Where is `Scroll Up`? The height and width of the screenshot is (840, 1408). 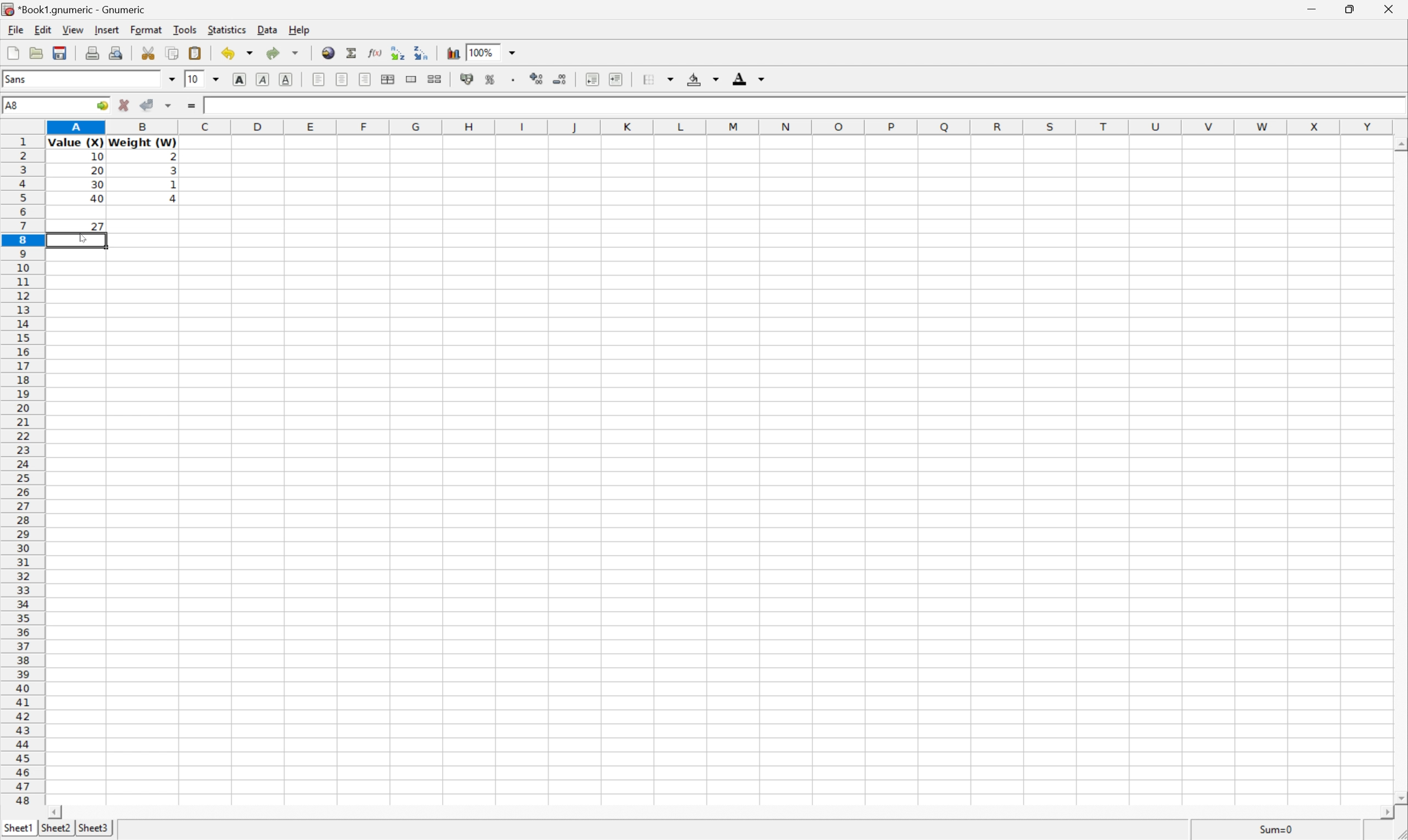 Scroll Up is located at coordinates (1399, 144).